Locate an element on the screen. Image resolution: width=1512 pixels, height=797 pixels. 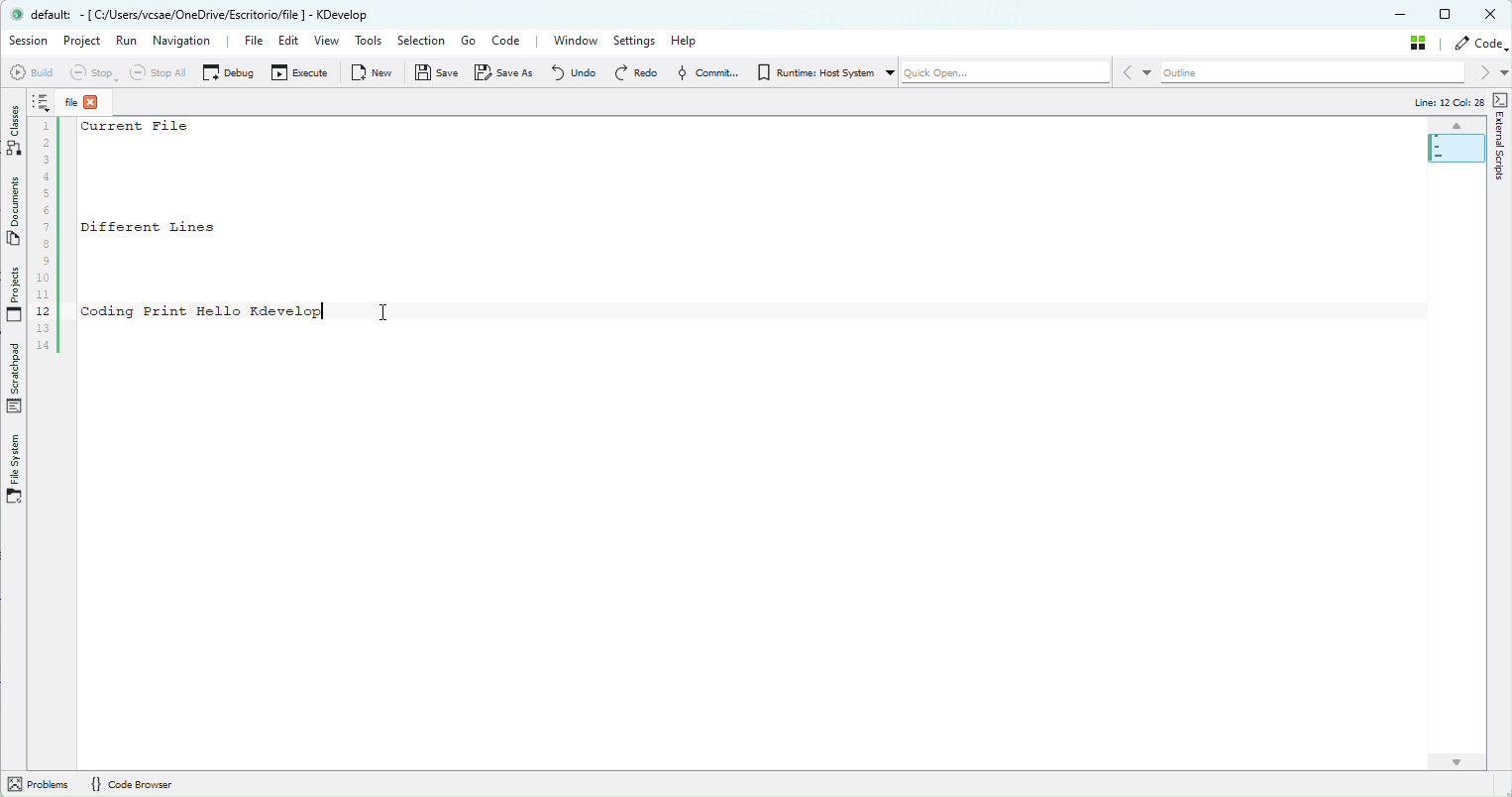
Save is located at coordinates (432, 75).